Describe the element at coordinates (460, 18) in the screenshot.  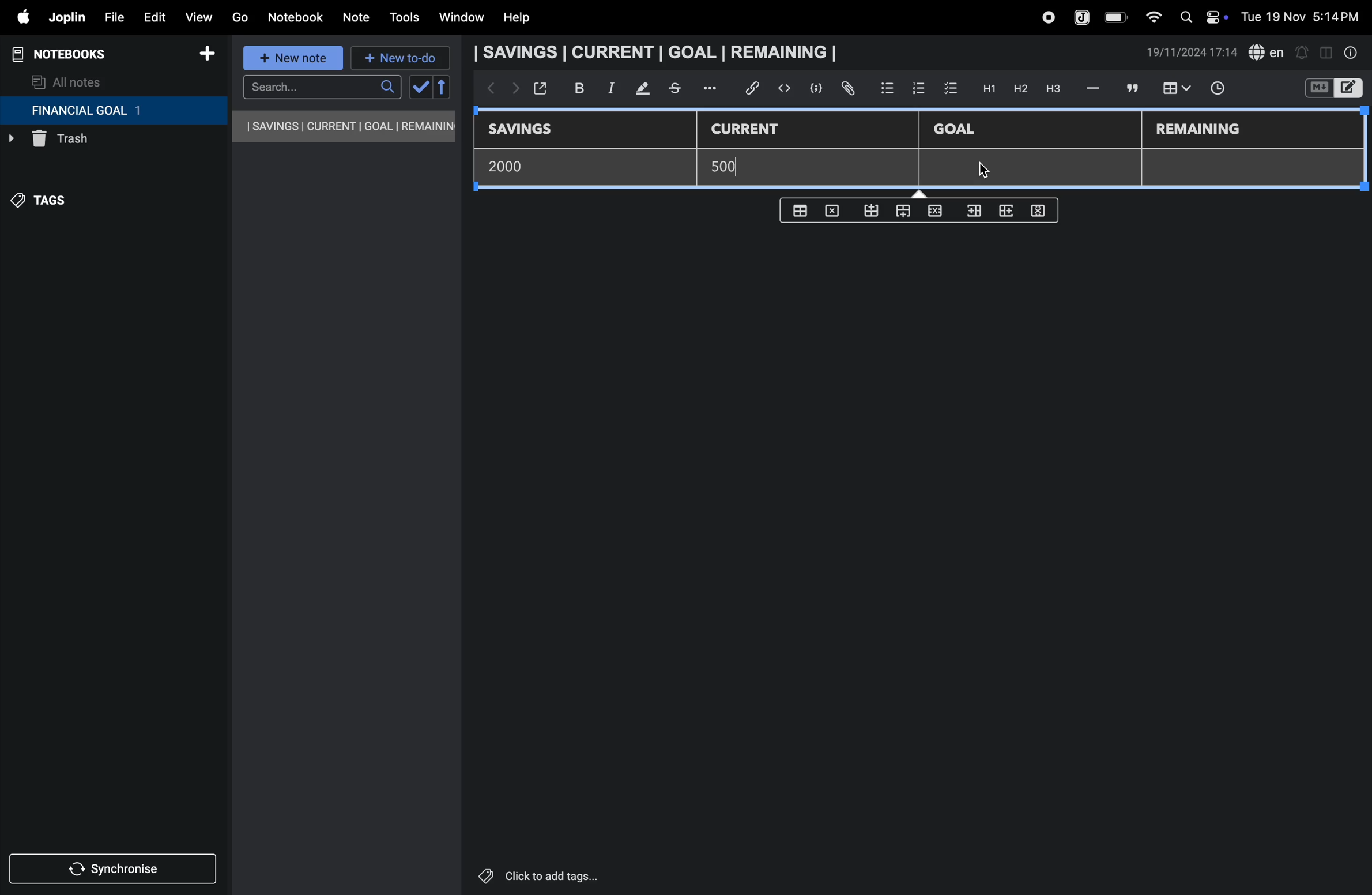
I see `window` at that location.